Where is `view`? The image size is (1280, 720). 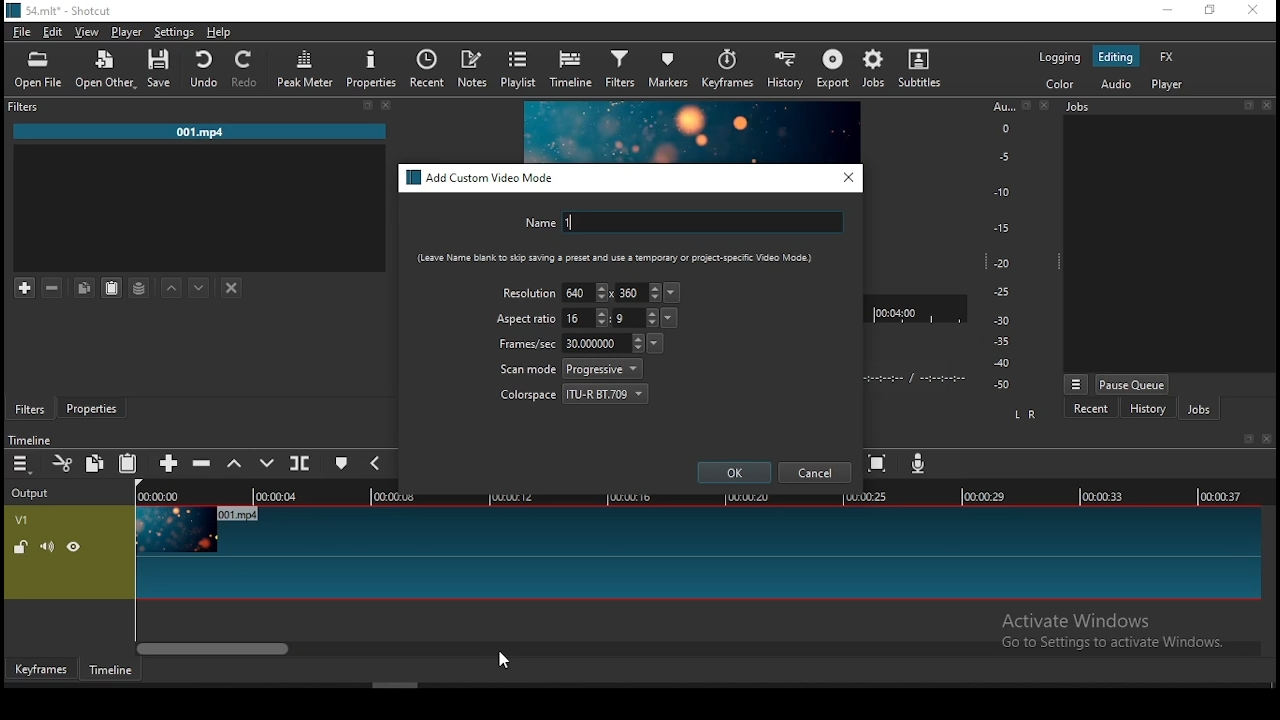 view is located at coordinates (89, 34).